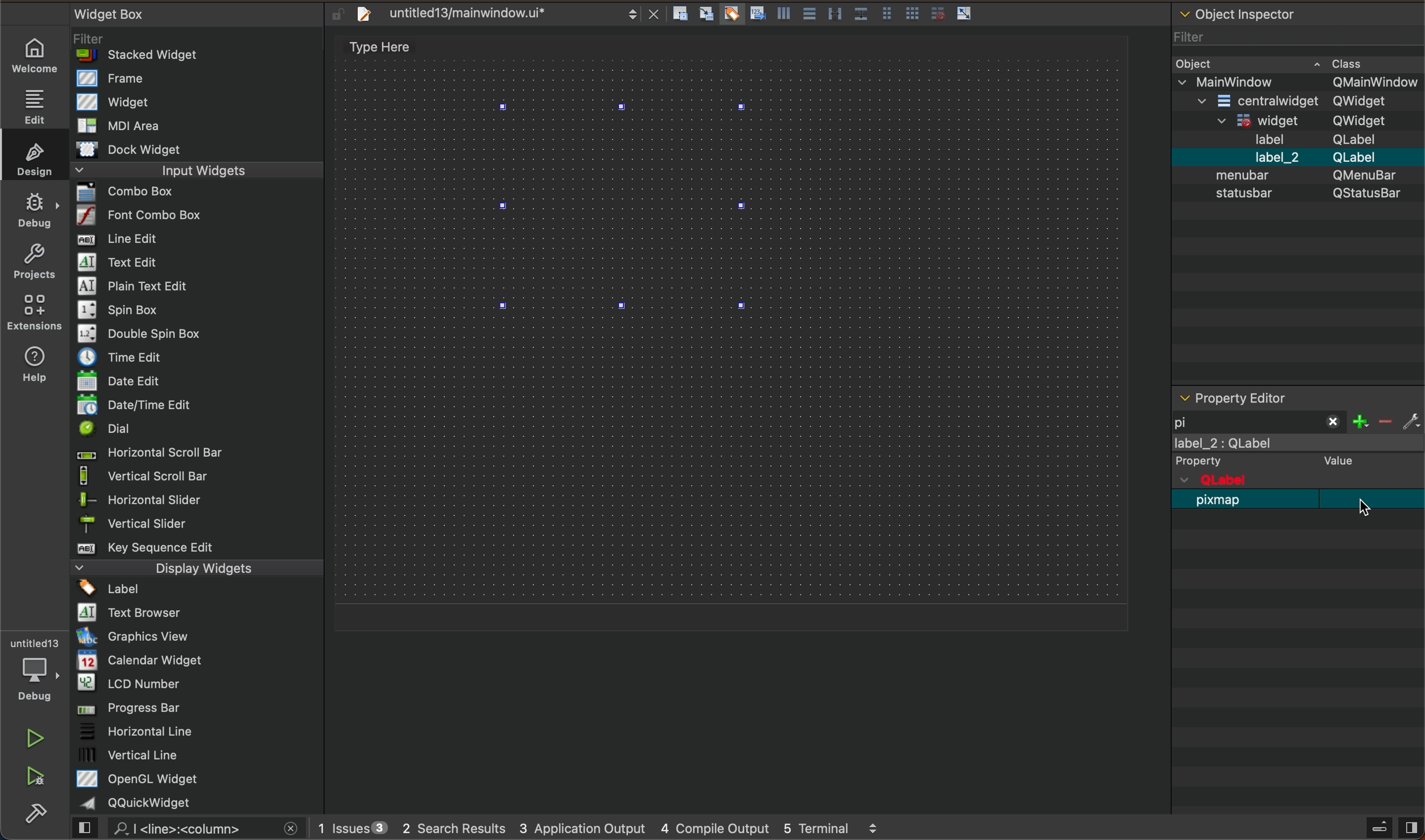  I want to click on logs, so click(605, 830).